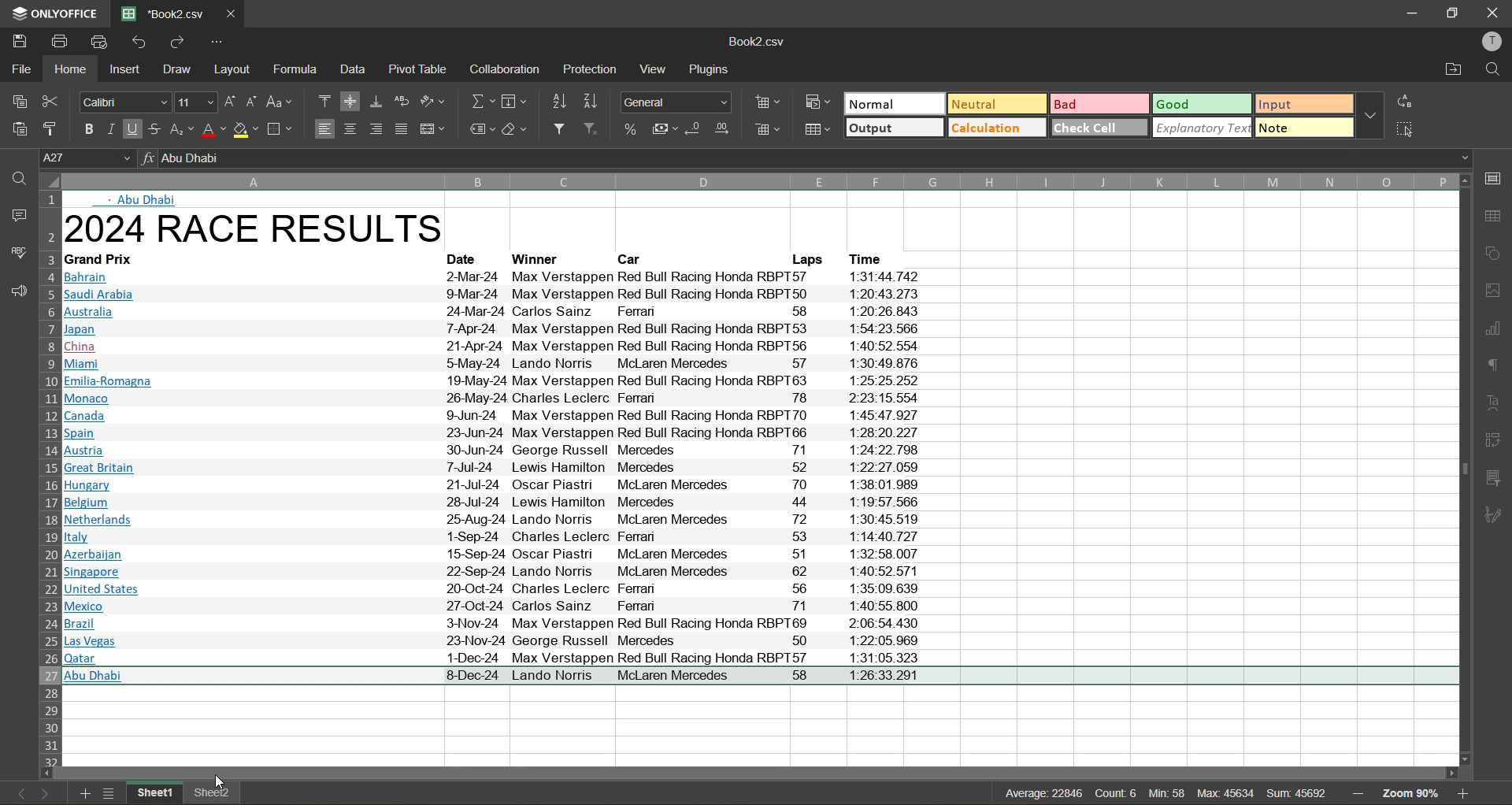 This screenshot has height=805, width=1512. What do you see at coordinates (67, 69) in the screenshot?
I see `home` at bounding box center [67, 69].